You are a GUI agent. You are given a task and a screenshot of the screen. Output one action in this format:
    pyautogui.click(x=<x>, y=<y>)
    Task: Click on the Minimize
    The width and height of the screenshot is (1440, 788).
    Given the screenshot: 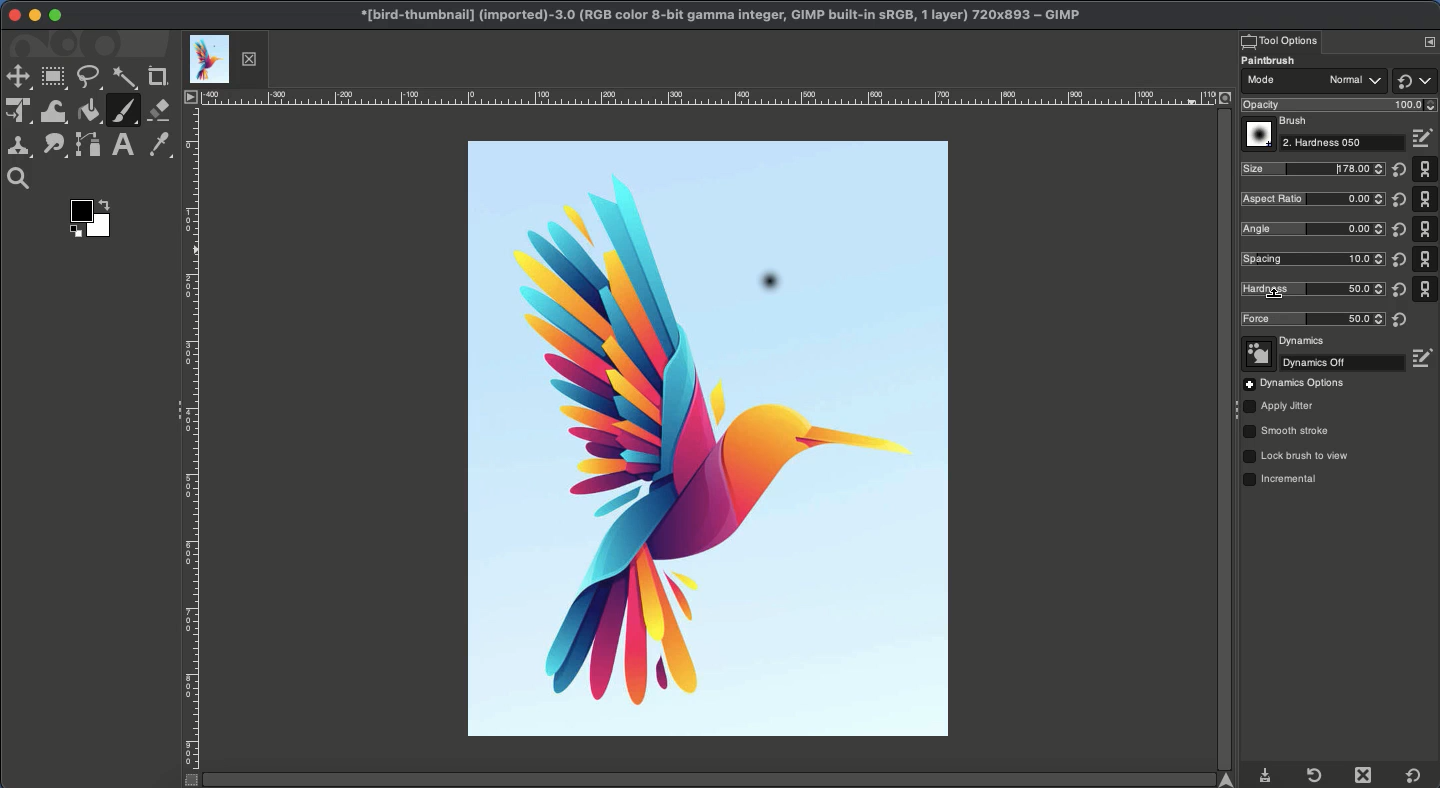 What is the action you would take?
    pyautogui.click(x=34, y=15)
    